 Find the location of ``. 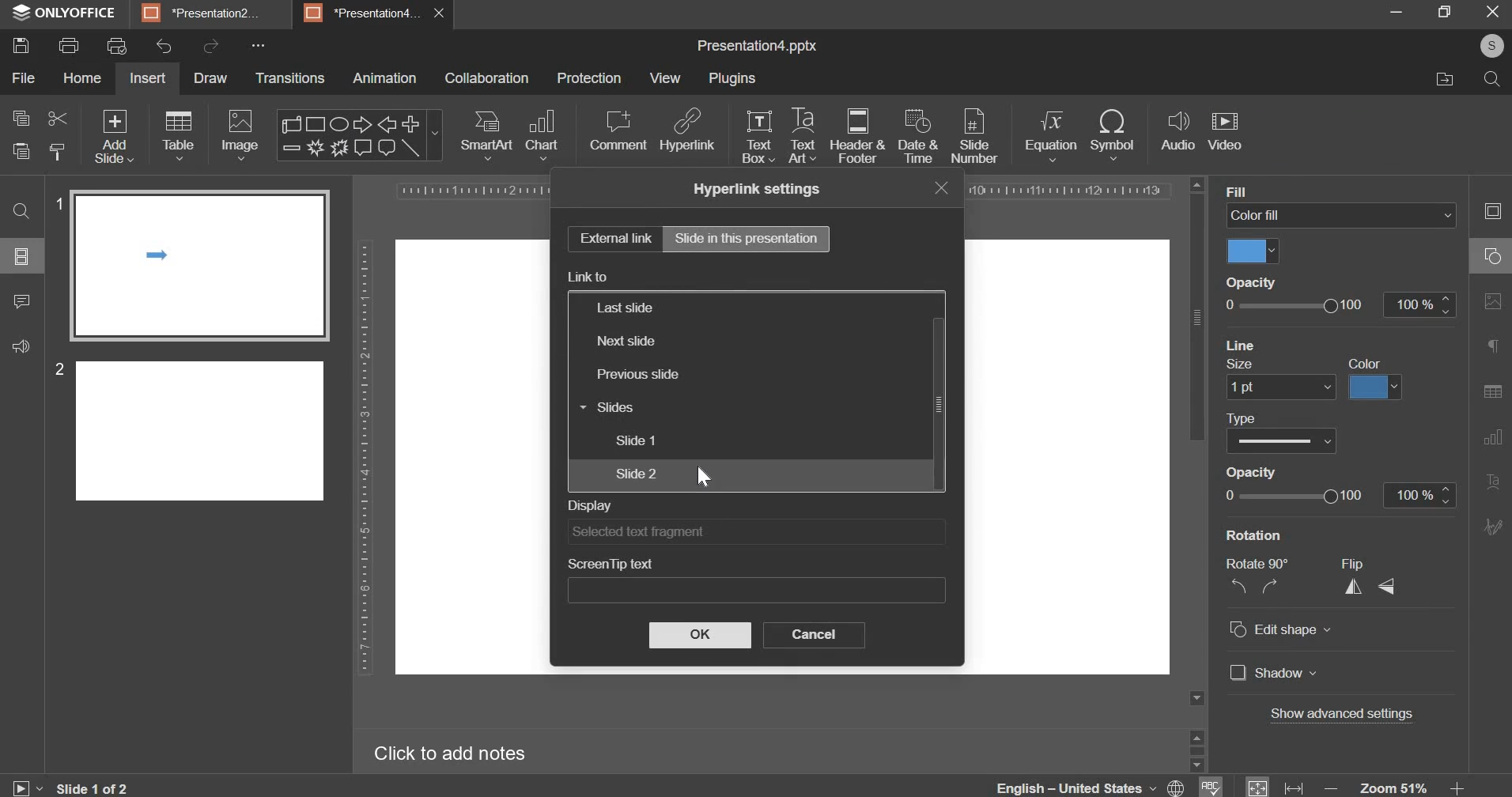

 is located at coordinates (1351, 716).